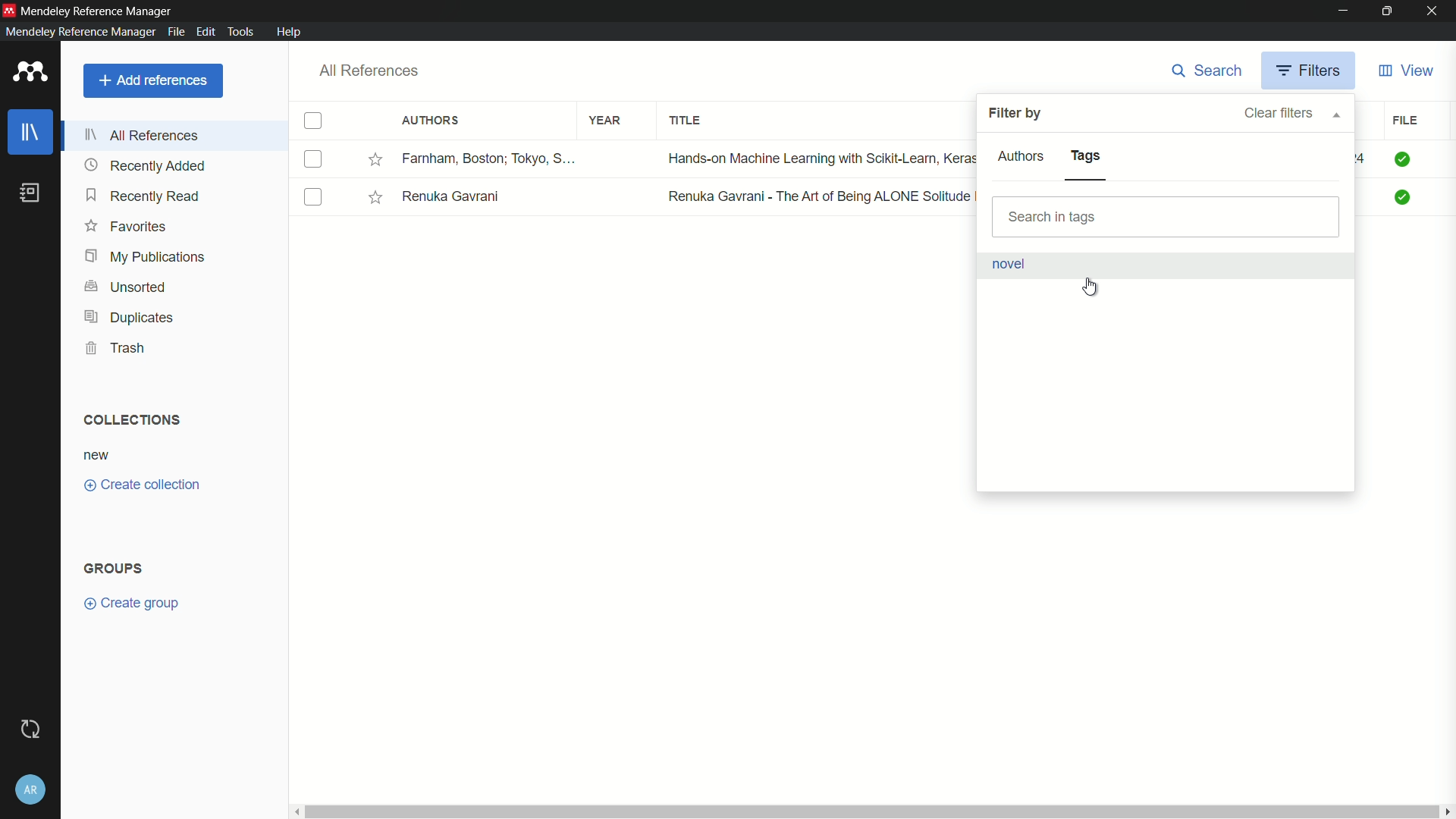  Describe the element at coordinates (97, 457) in the screenshot. I see `new` at that location.